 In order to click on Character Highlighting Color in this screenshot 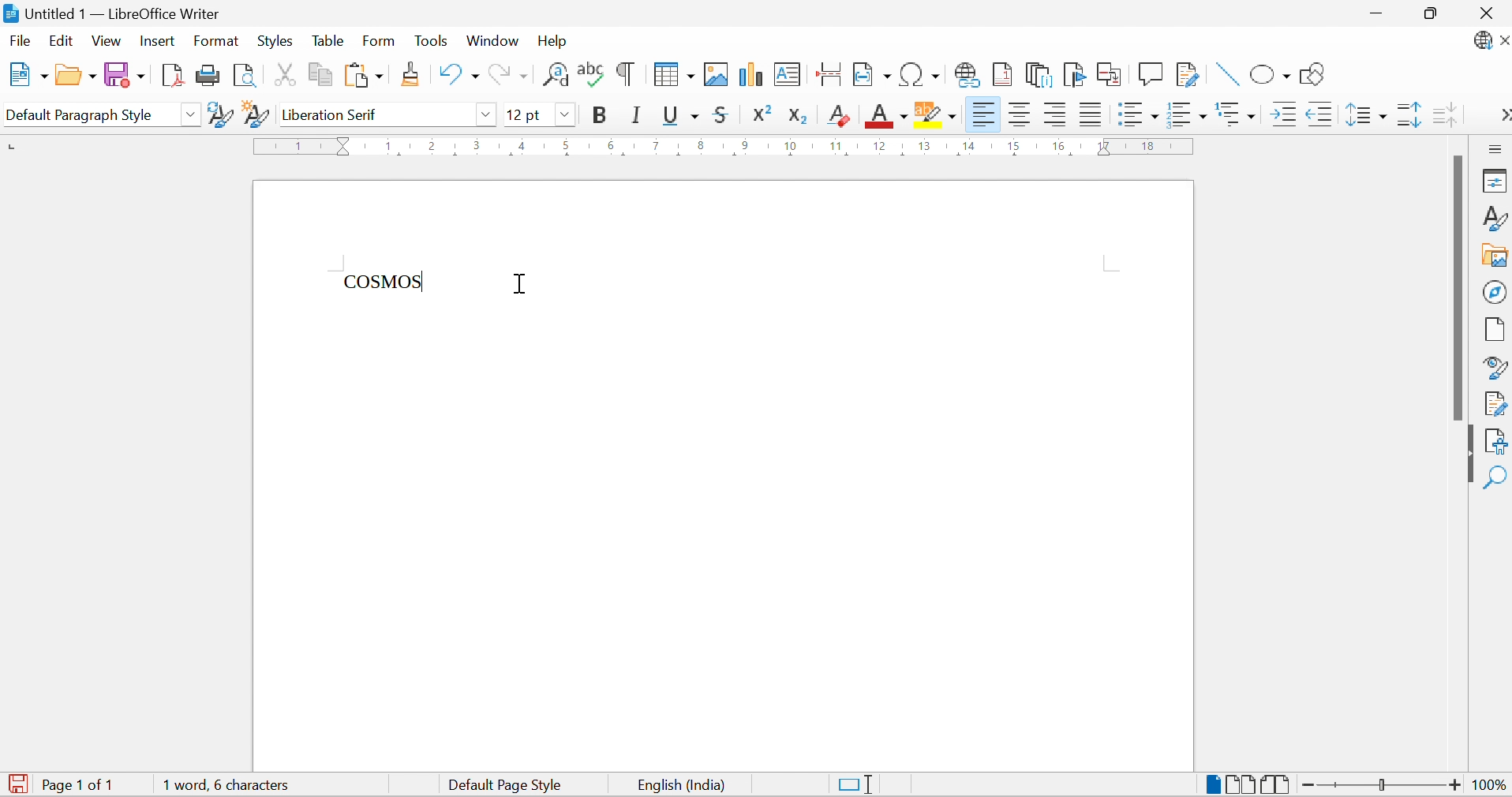, I will do `click(937, 113)`.